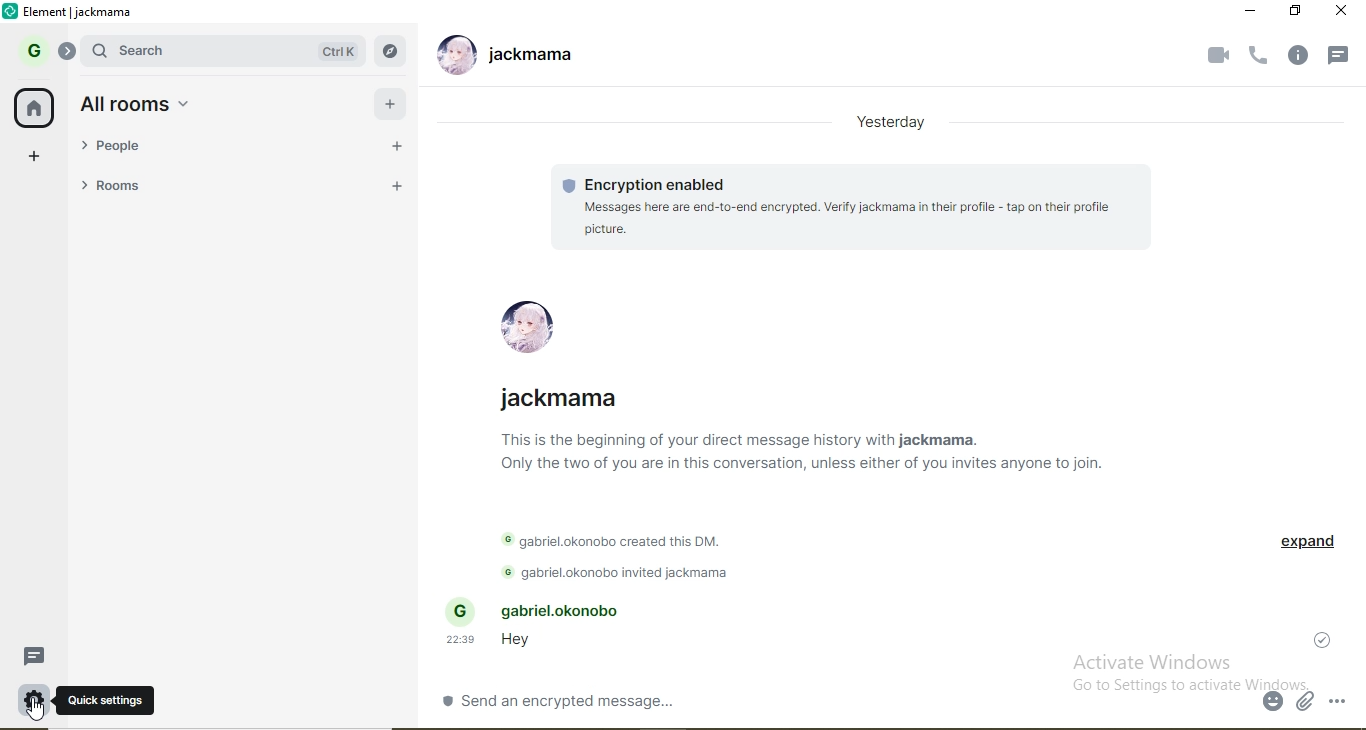  What do you see at coordinates (623, 540) in the screenshot?
I see `text 2` at bounding box center [623, 540].